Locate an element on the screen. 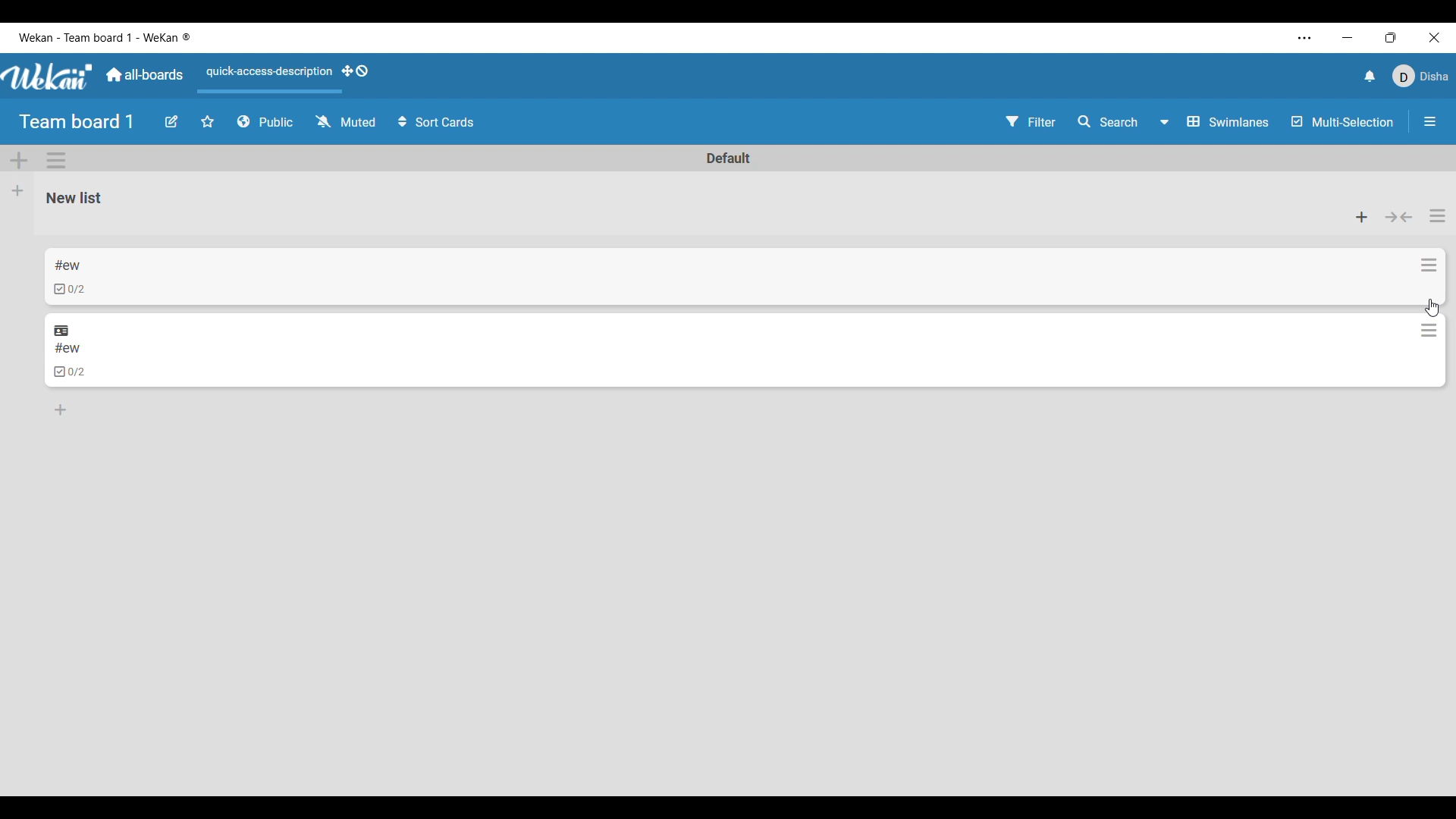  Card name is located at coordinates (67, 265).